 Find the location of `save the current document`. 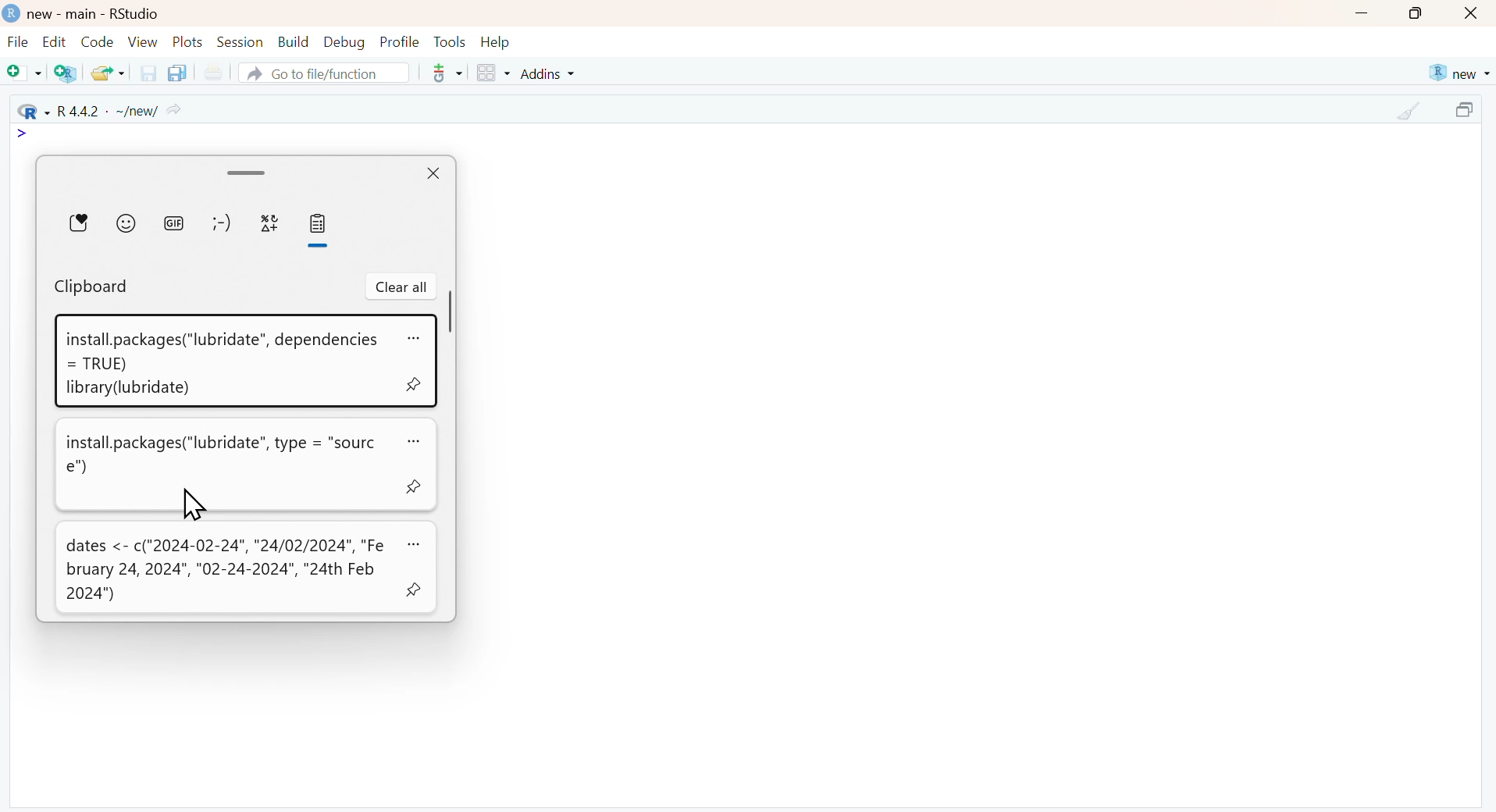

save the current document is located at coordinates (146, 73).